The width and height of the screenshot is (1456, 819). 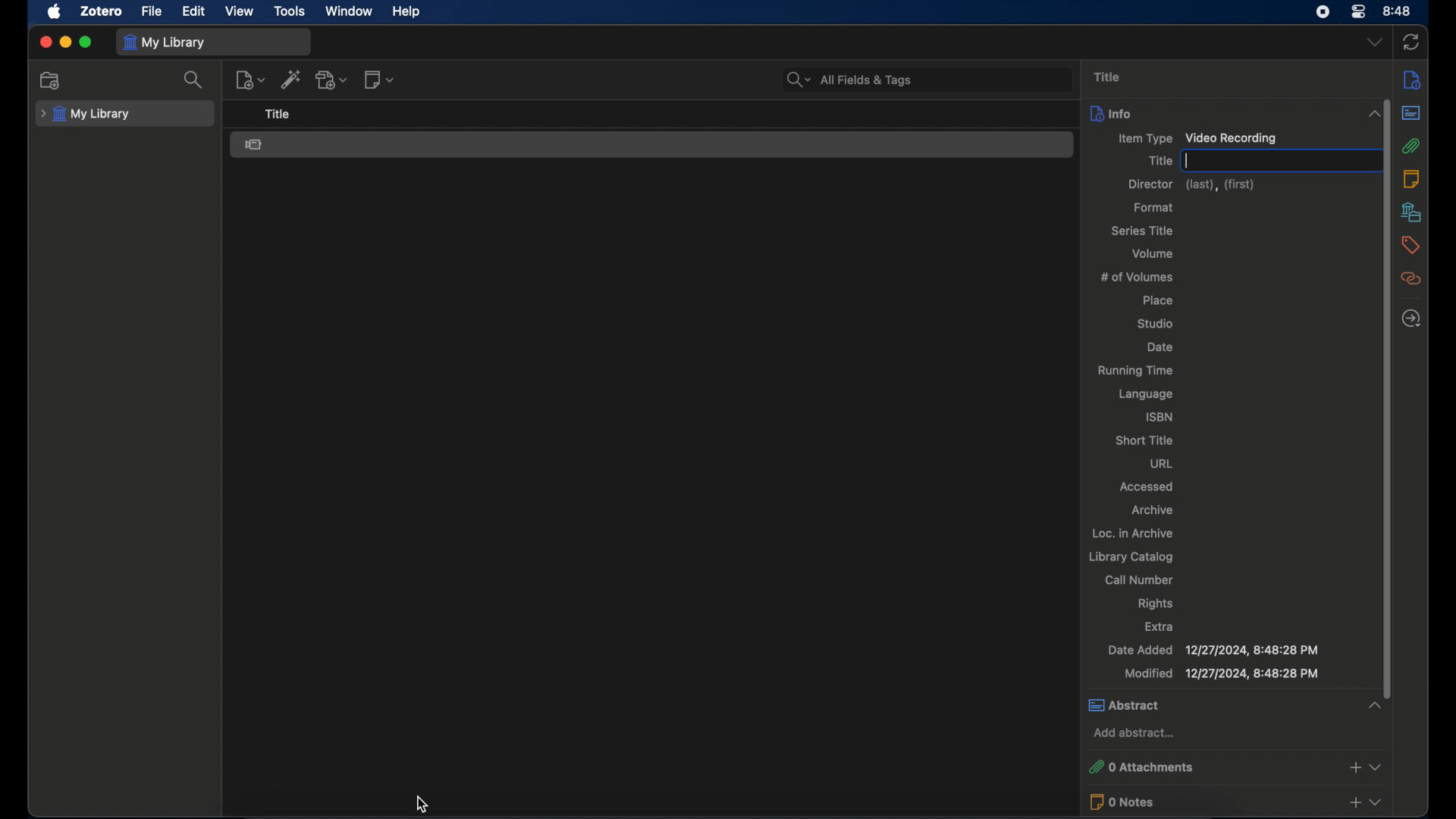 What do you see at coordinates (1354, 804) in the screenshot?
I see `add notes` at bounding box center [1354, 804].